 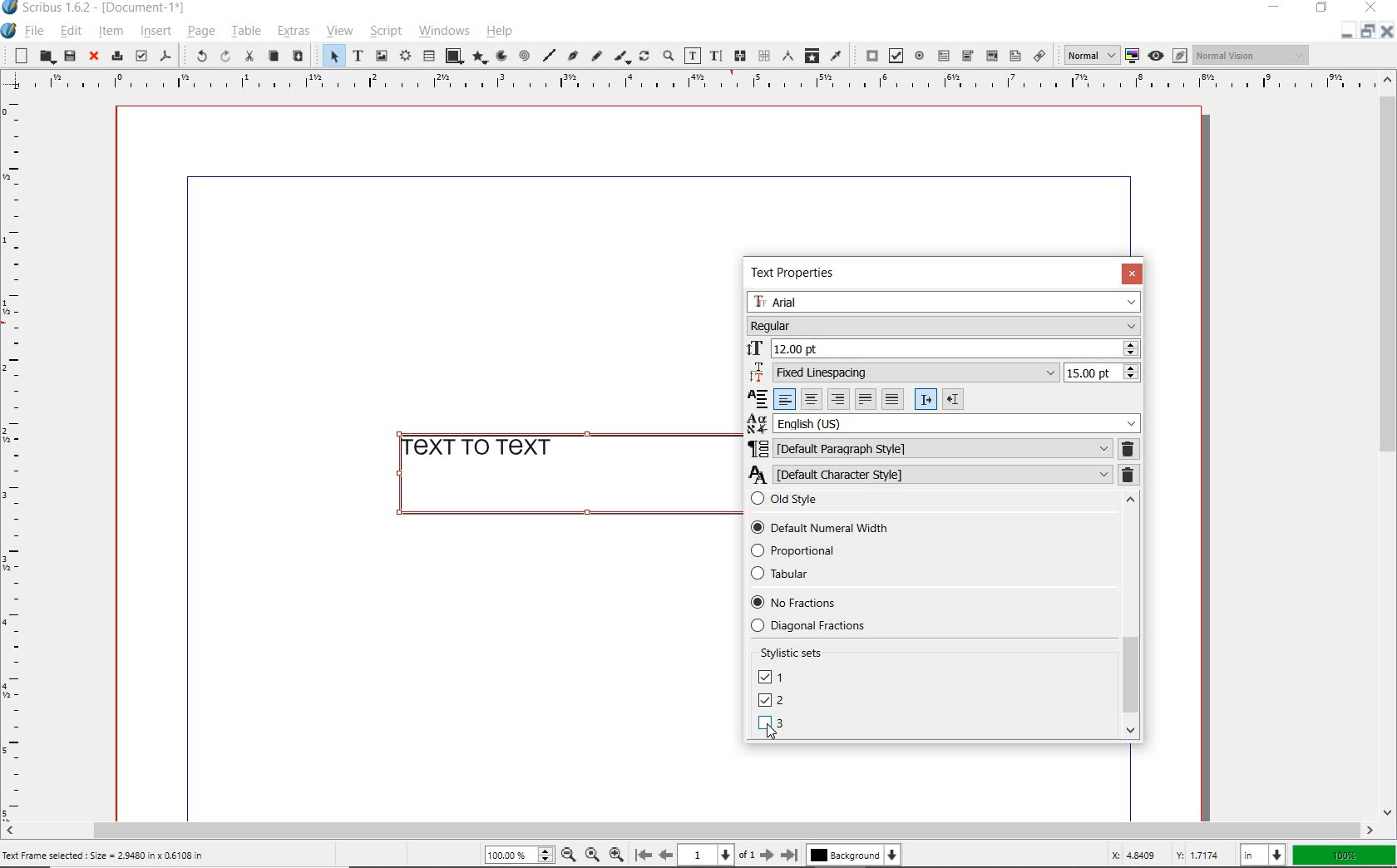 What do you see at coordinates (689, 830) in the screenshot?
I see `scrollbar` at bounding box center [689, 830].